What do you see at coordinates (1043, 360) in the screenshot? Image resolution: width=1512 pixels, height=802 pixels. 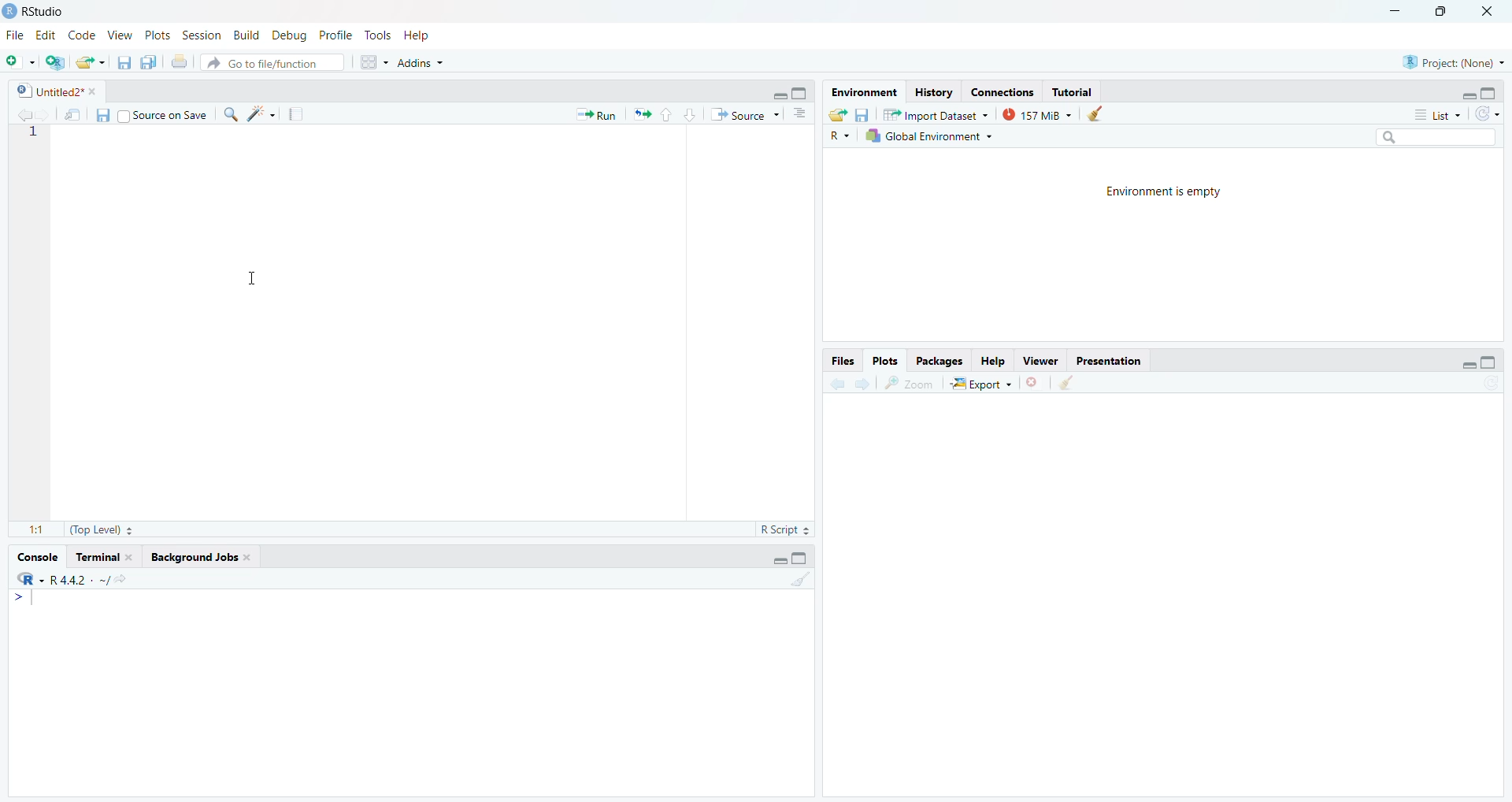 I see `Viewer` at bounding box center [1043, 360].